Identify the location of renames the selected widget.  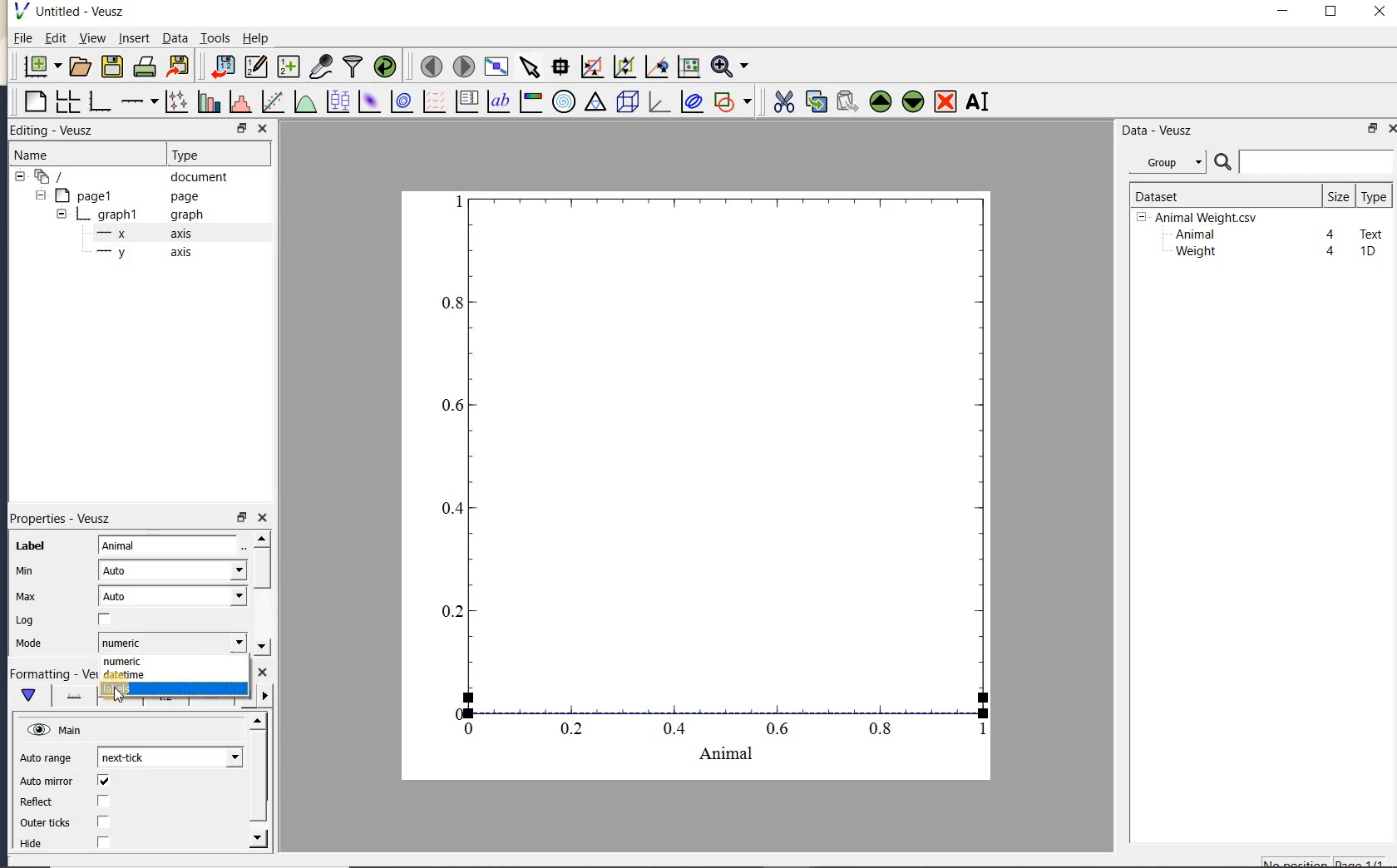
(976, 101).